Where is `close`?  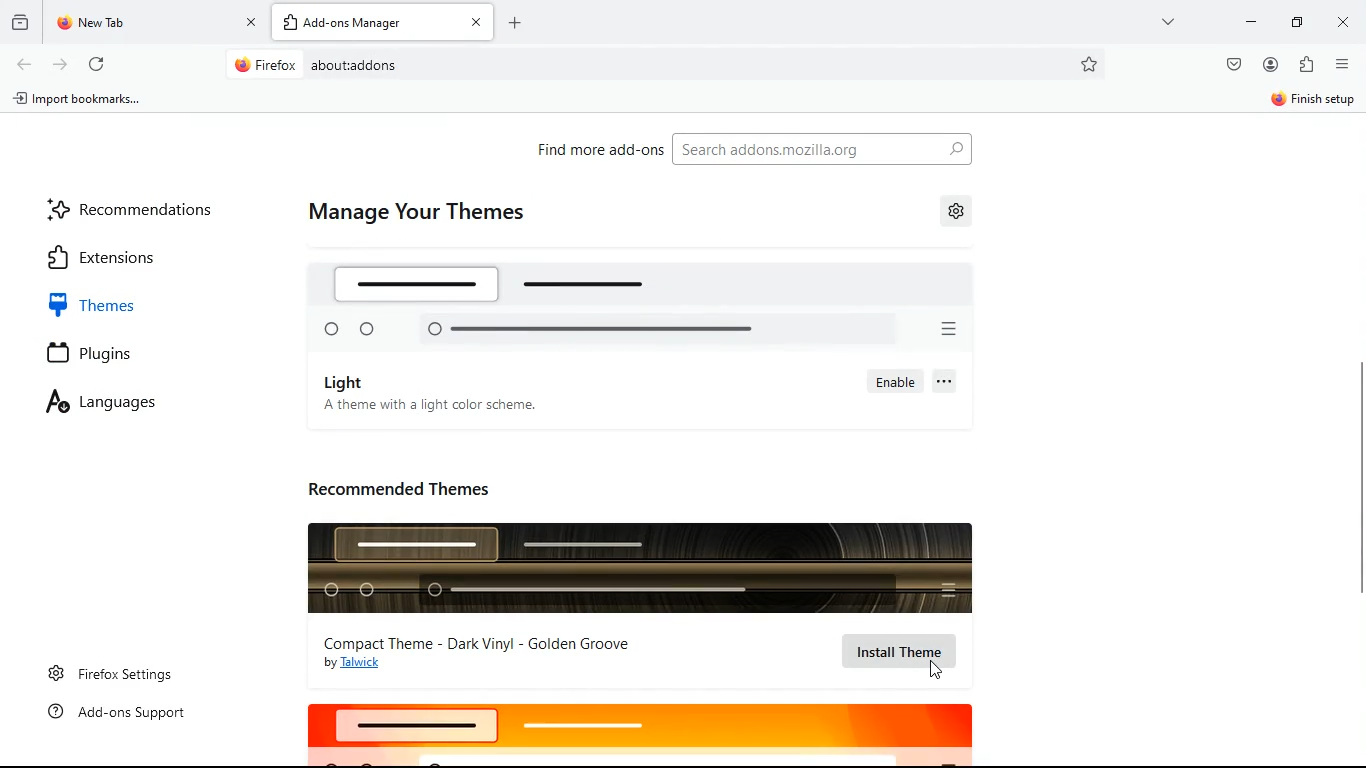
close is located at coordinates (1346, 20).